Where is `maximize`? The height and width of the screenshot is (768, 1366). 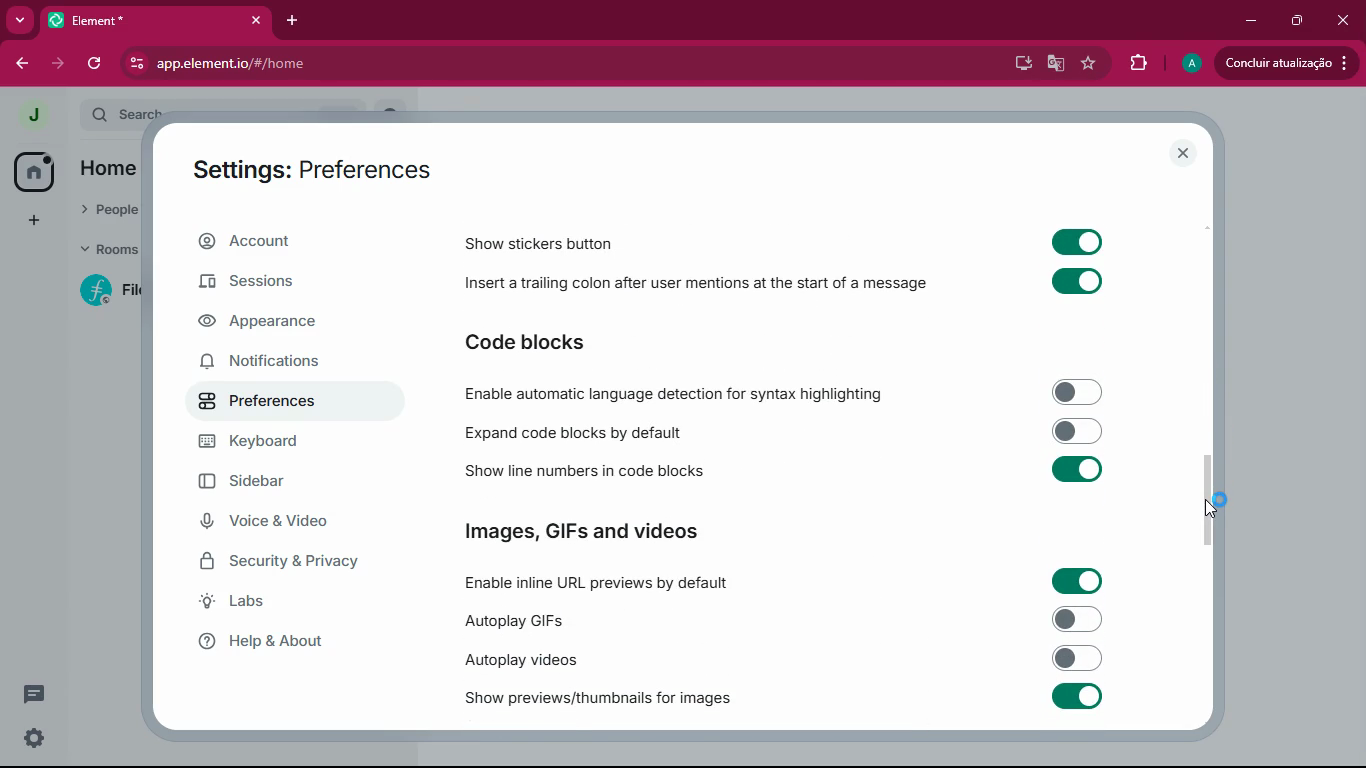 maximize is located at coordinates (1300, 22).